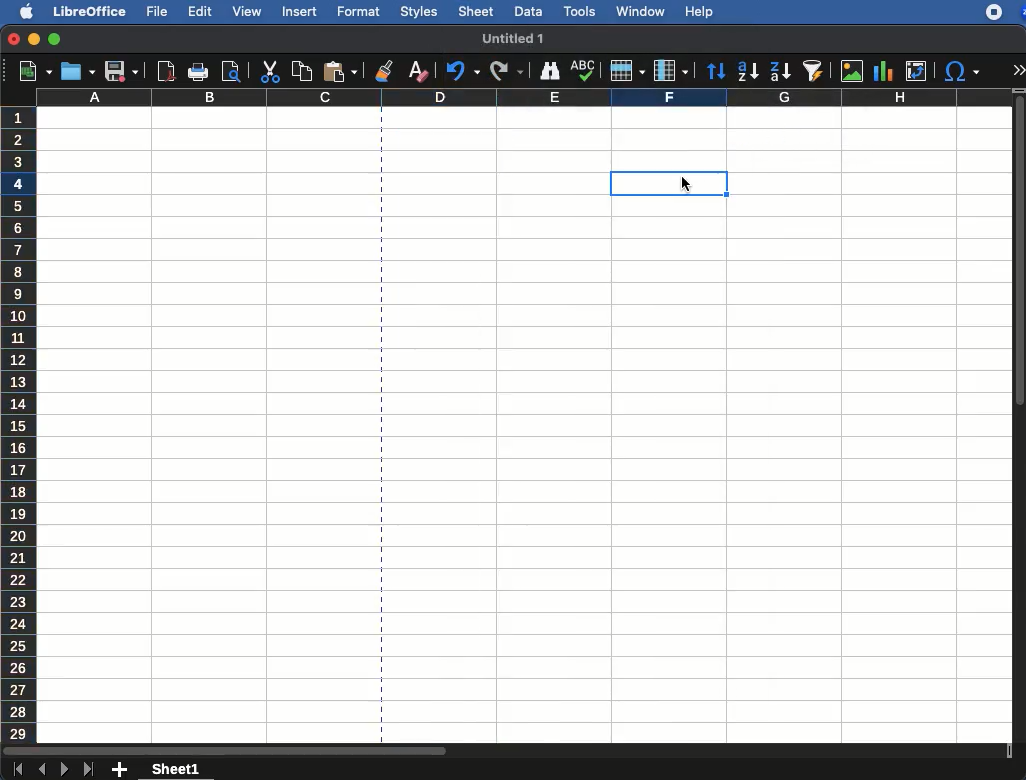 This screenshot has width=1026, height=780. Describe the element at coordinates (35, 39) in the screenshot. I see `minimize` at that location.